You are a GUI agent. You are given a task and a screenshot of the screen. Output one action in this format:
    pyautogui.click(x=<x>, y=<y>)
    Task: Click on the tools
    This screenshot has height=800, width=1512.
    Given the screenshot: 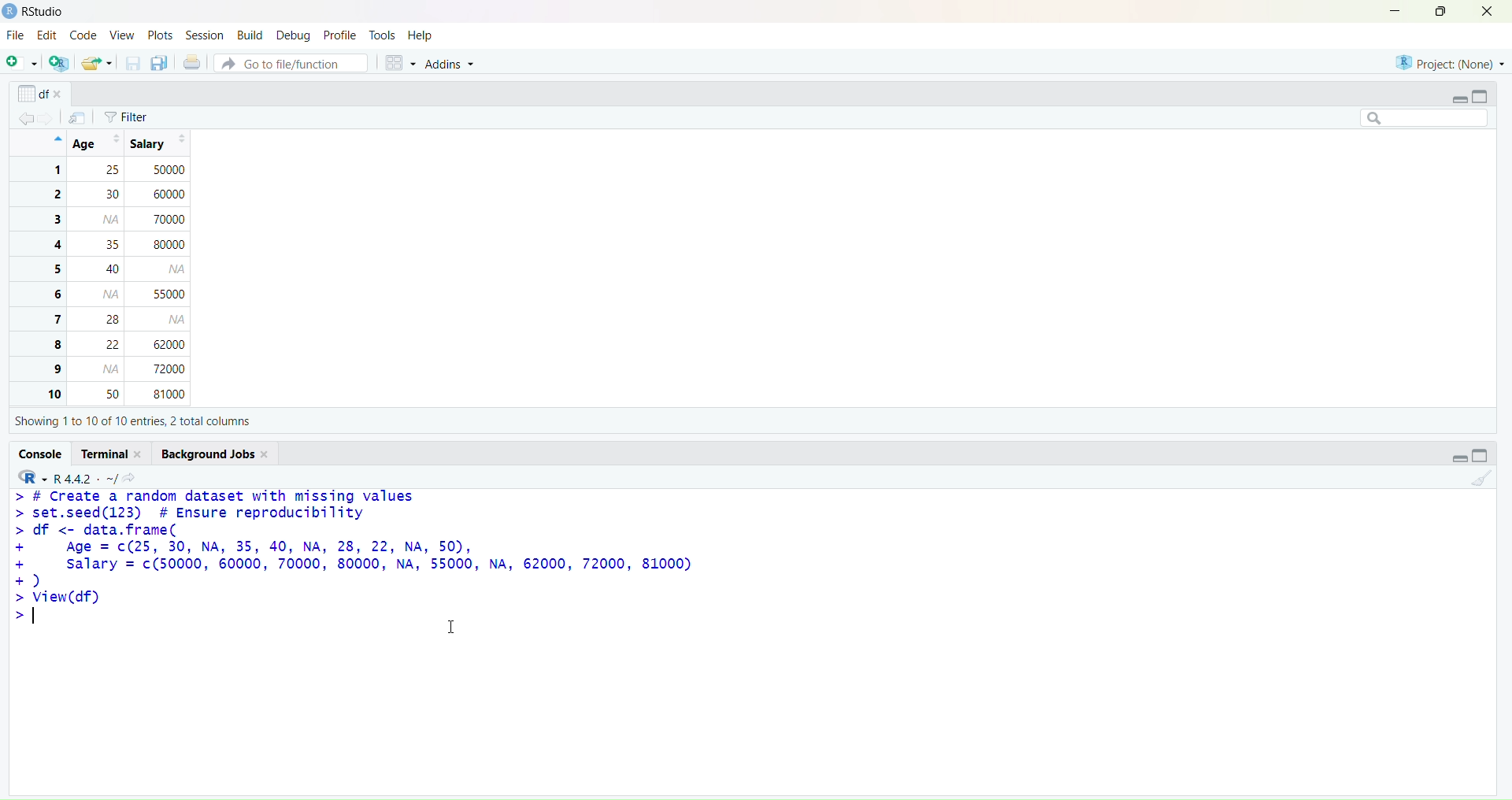 What is the action you would take?
    pyautogui.click(x=384, y=35)
    